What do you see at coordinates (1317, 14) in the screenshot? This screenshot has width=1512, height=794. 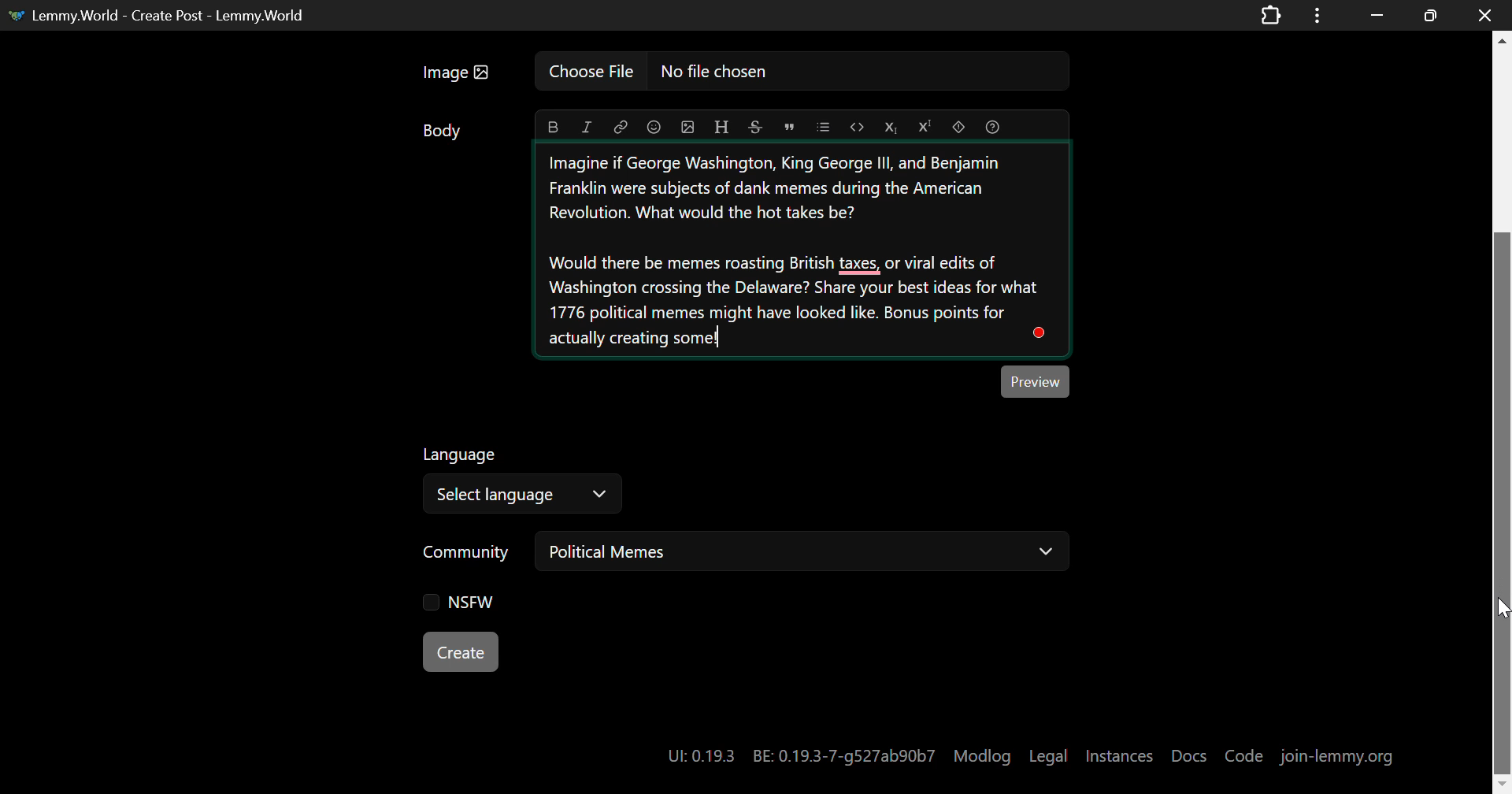 I see `Application Options` at bounding box center [1317, 14].